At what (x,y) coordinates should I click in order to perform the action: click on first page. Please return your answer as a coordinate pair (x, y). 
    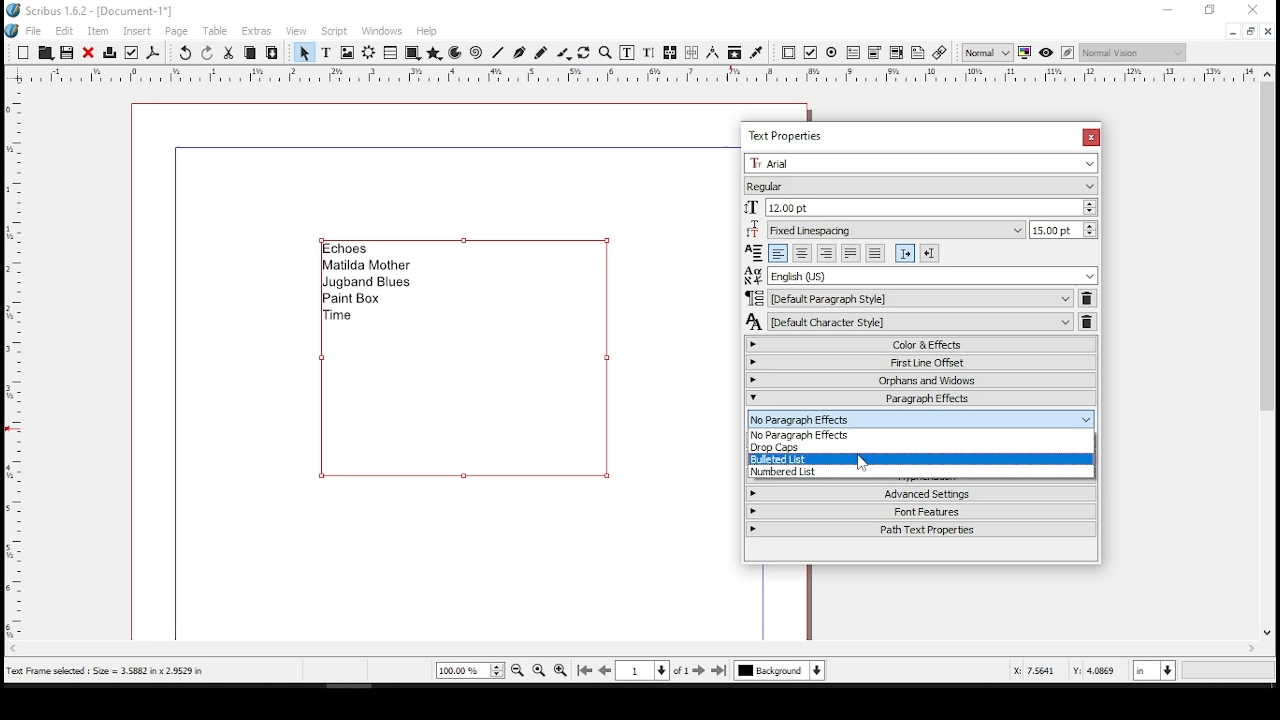
    Looking at the image, I should click on (587, 671).